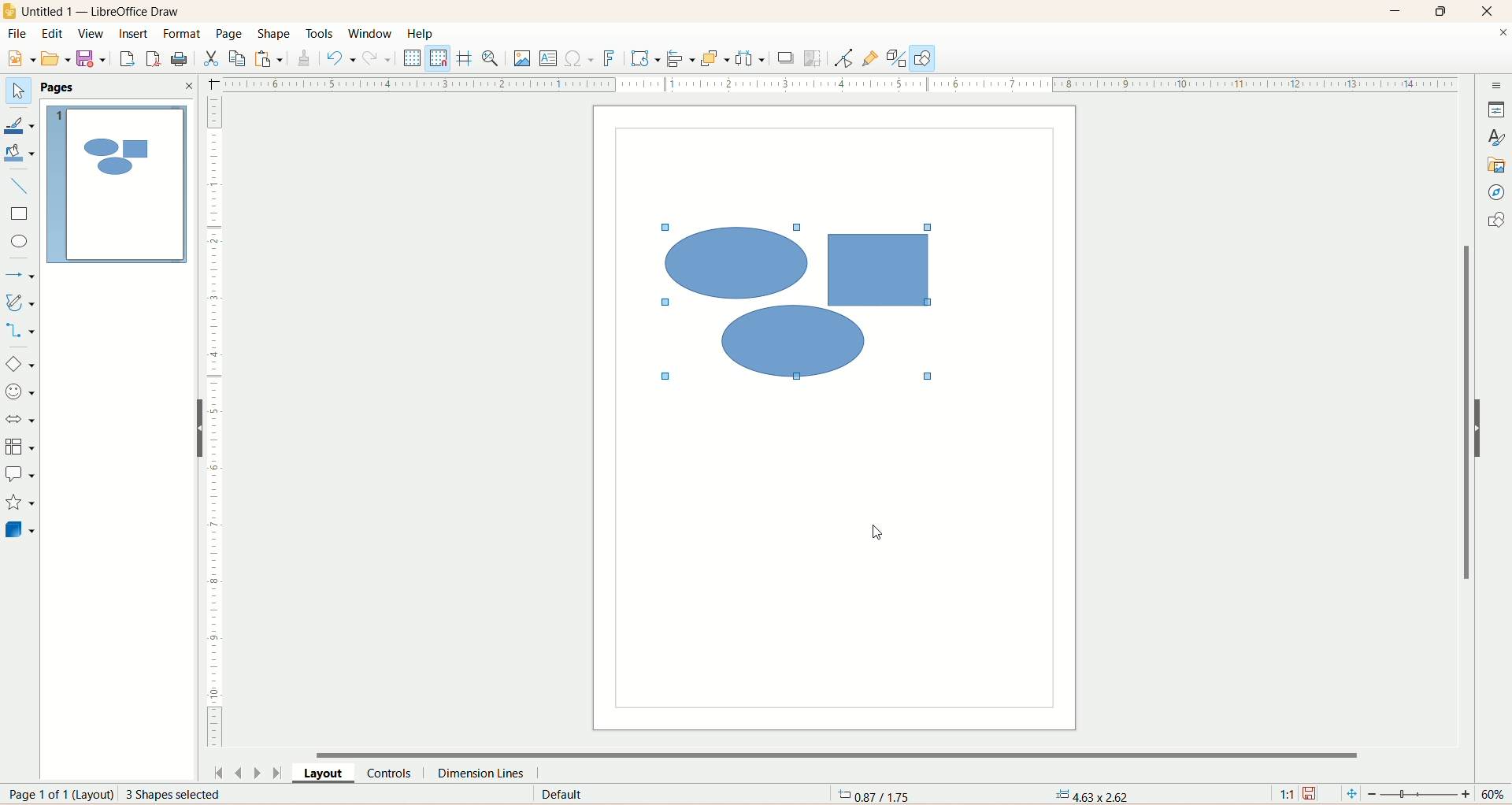  Describe the element at coordinates (873, 534) in the screenshot. I see `cursor` at that location.